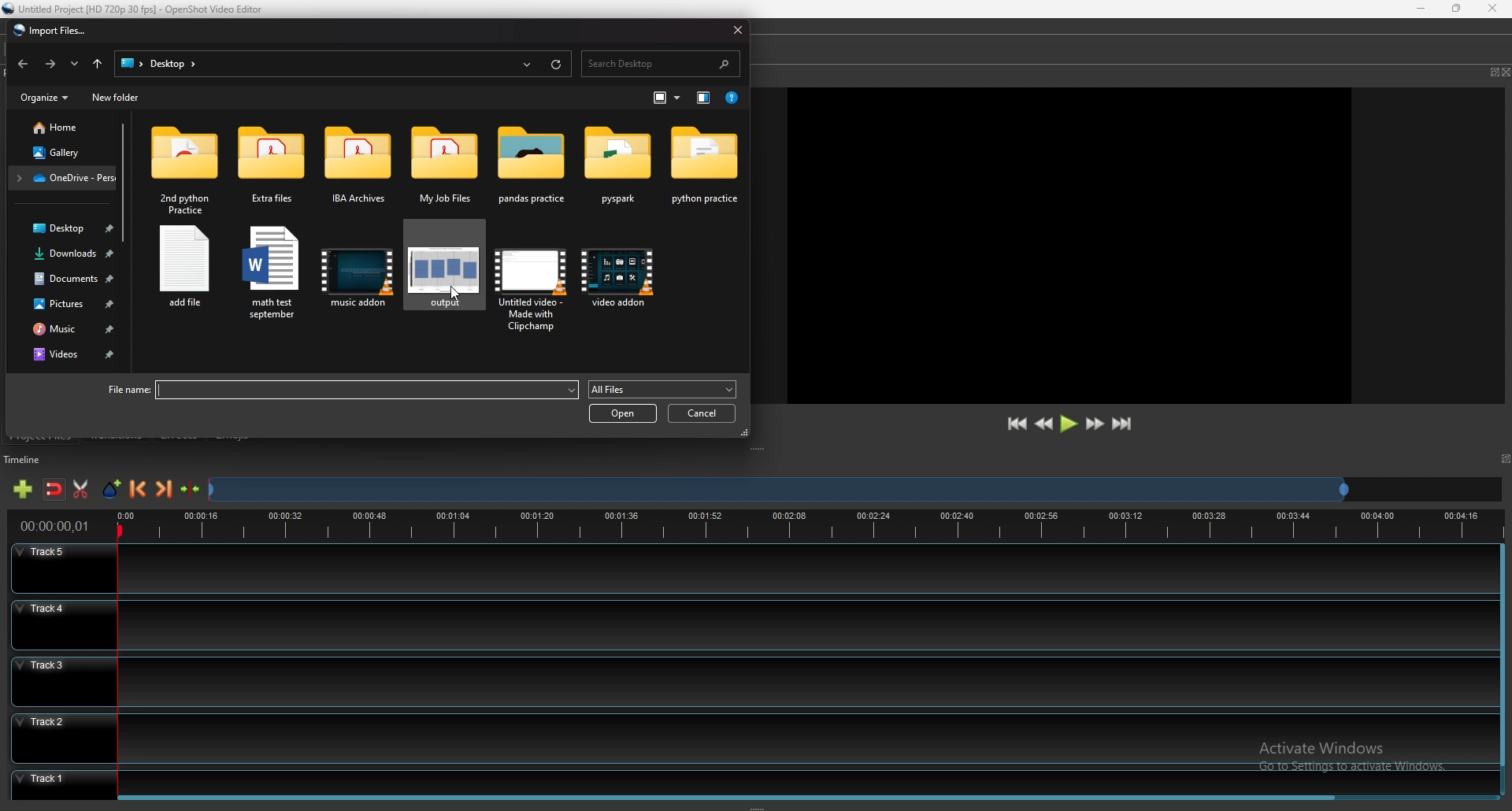 The height and width of the screenshot is (811, 1512). What do you see at coordinates (117, 98) in the screenshot?
I see `new folder` at bounding box center [117, 98].